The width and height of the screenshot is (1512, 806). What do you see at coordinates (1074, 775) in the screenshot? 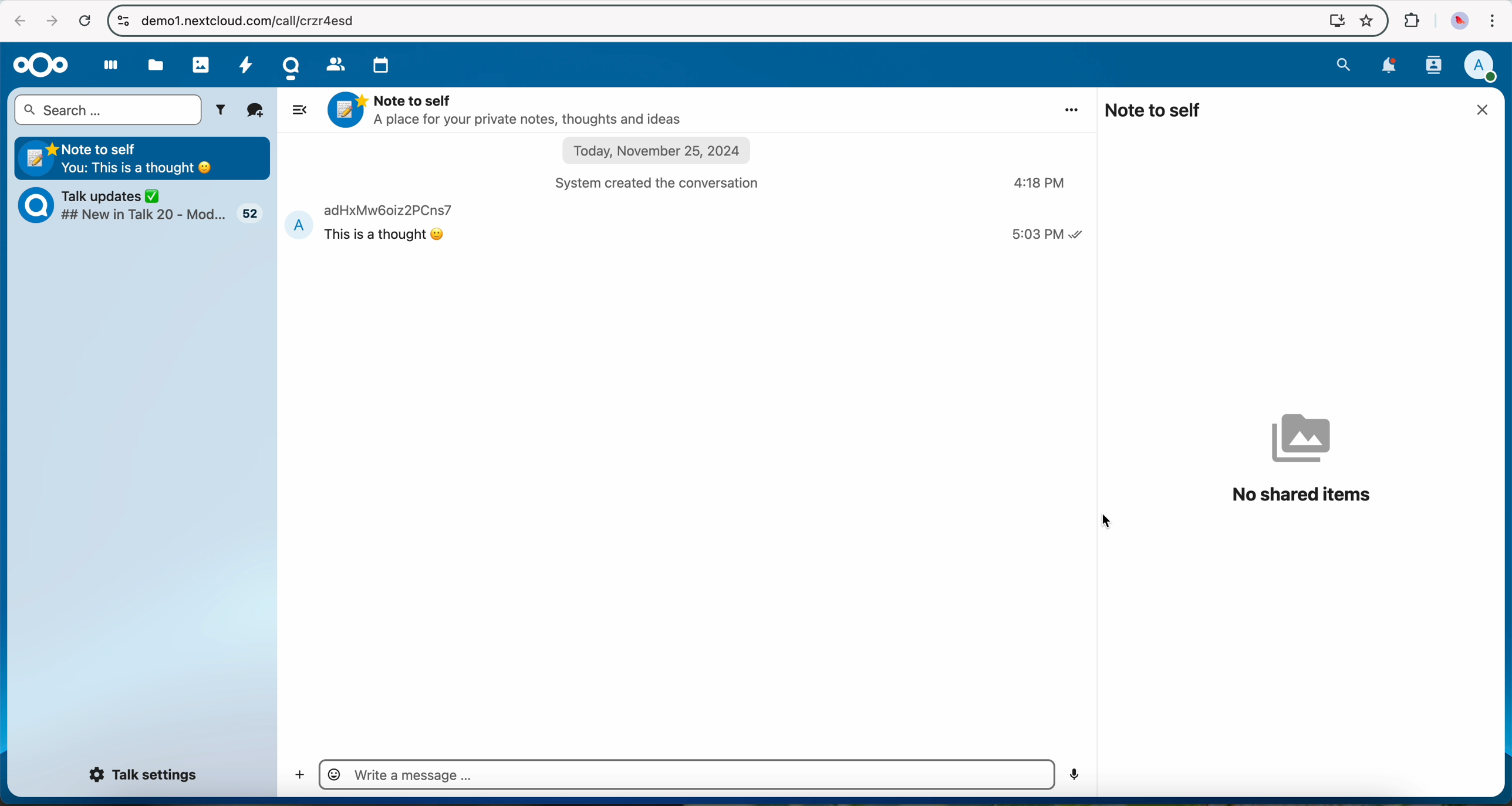
I see `voice record` at bounding box center [1074, 775].